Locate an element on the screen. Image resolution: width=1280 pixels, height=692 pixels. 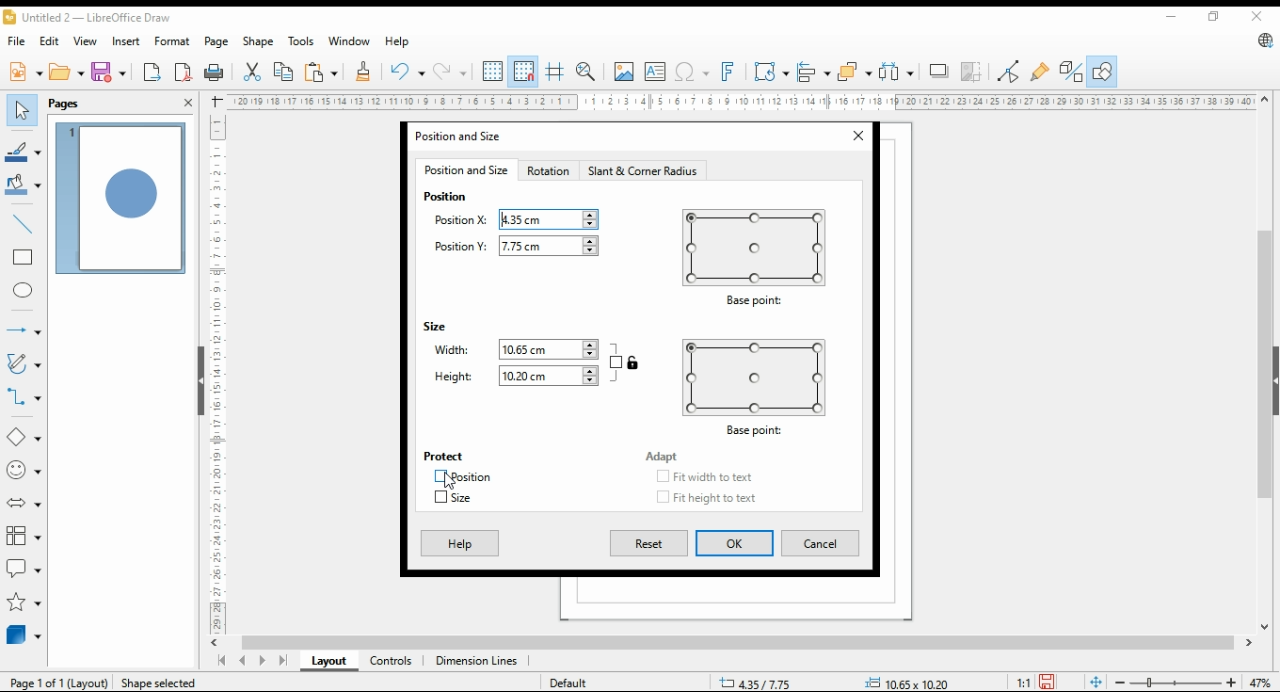
stars and banners is located at coordinates (23, 601).